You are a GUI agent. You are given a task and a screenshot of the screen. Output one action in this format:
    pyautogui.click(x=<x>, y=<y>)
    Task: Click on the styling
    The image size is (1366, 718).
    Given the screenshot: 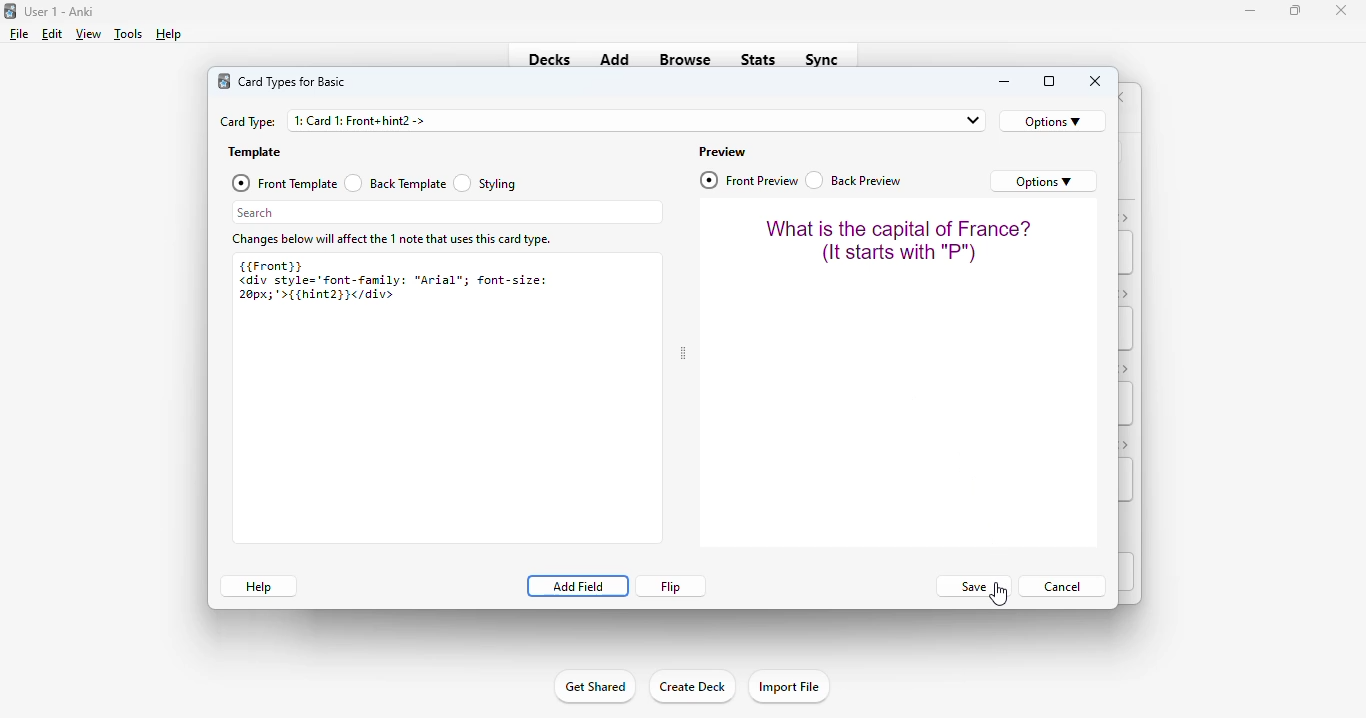 What is the action you would take?
    pyautogui.click(x=486, y=182)
    